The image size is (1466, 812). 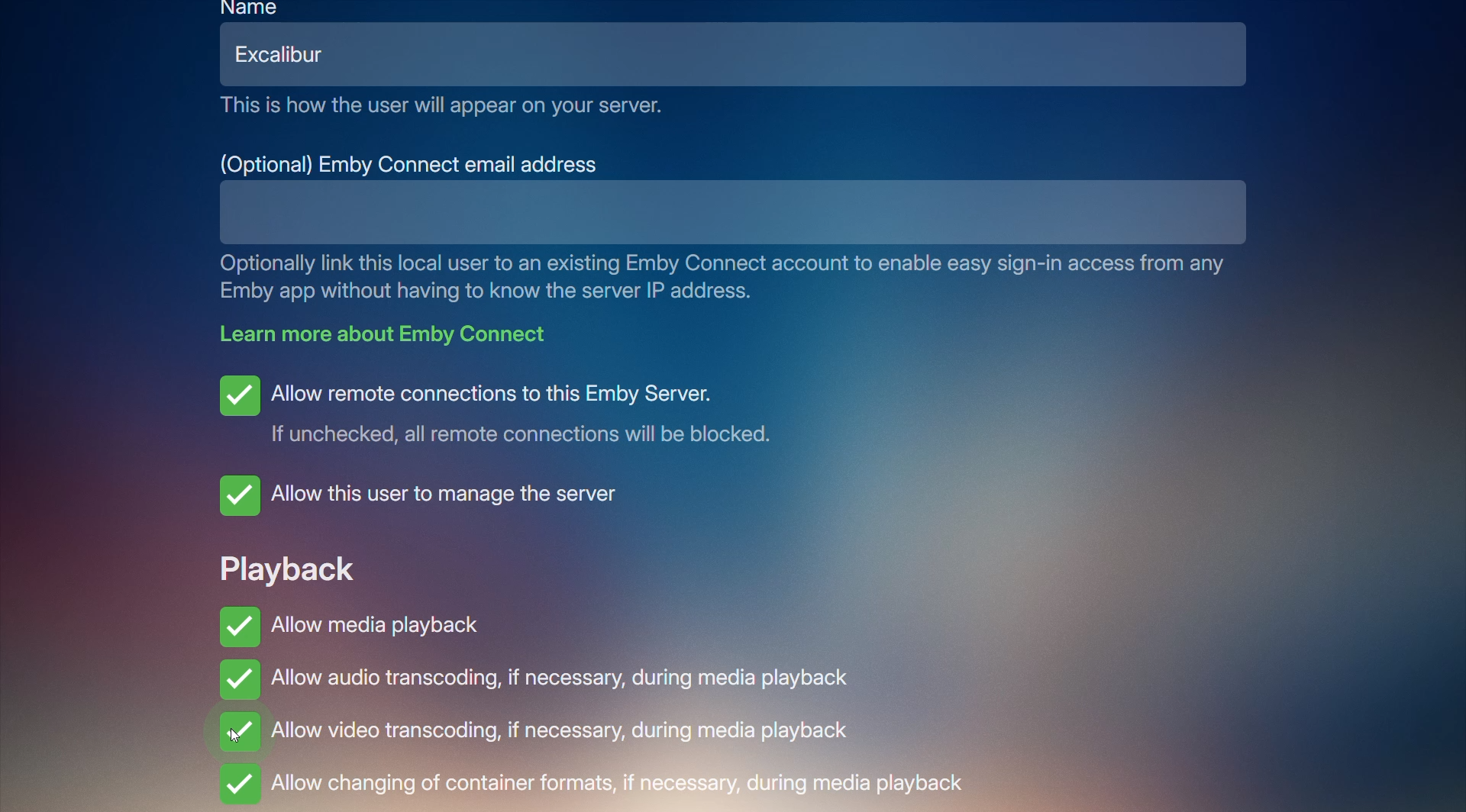 I want to click on Allow this user to manage the server, so click(x=431, y=495).